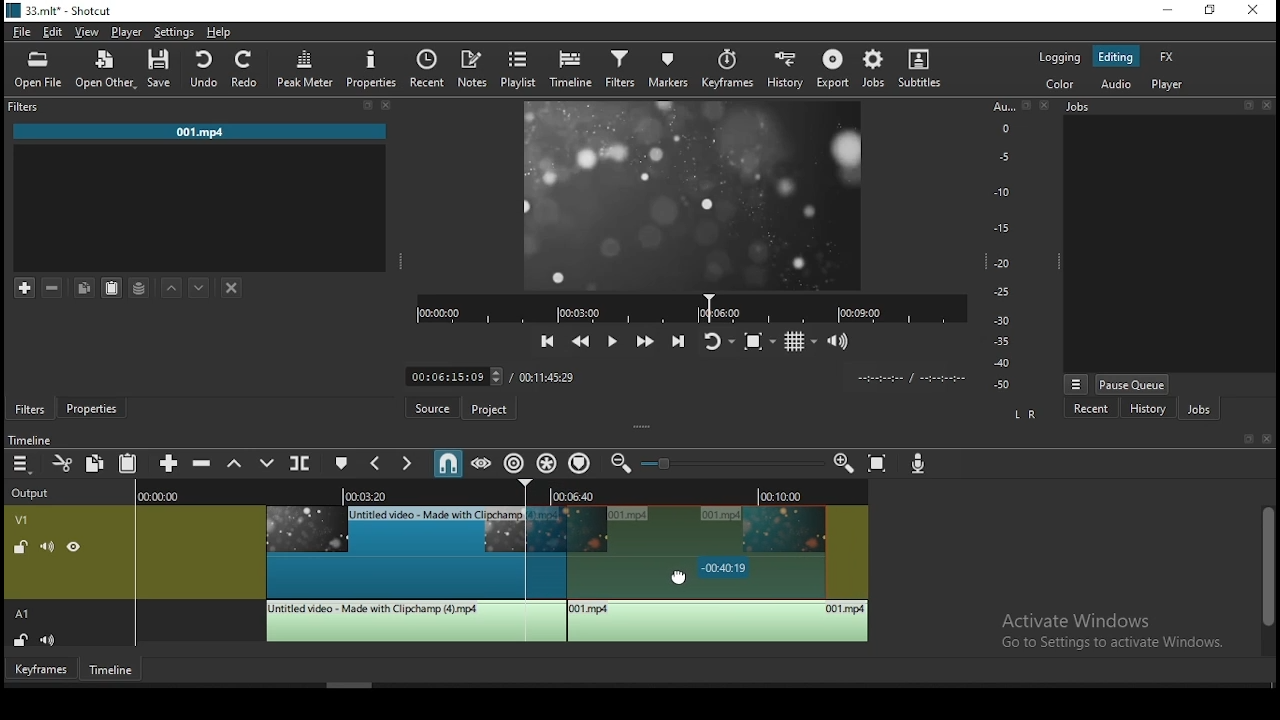 The width and height of the screenshot is (1280, 720). I want to click on filters, so click(619, 70).